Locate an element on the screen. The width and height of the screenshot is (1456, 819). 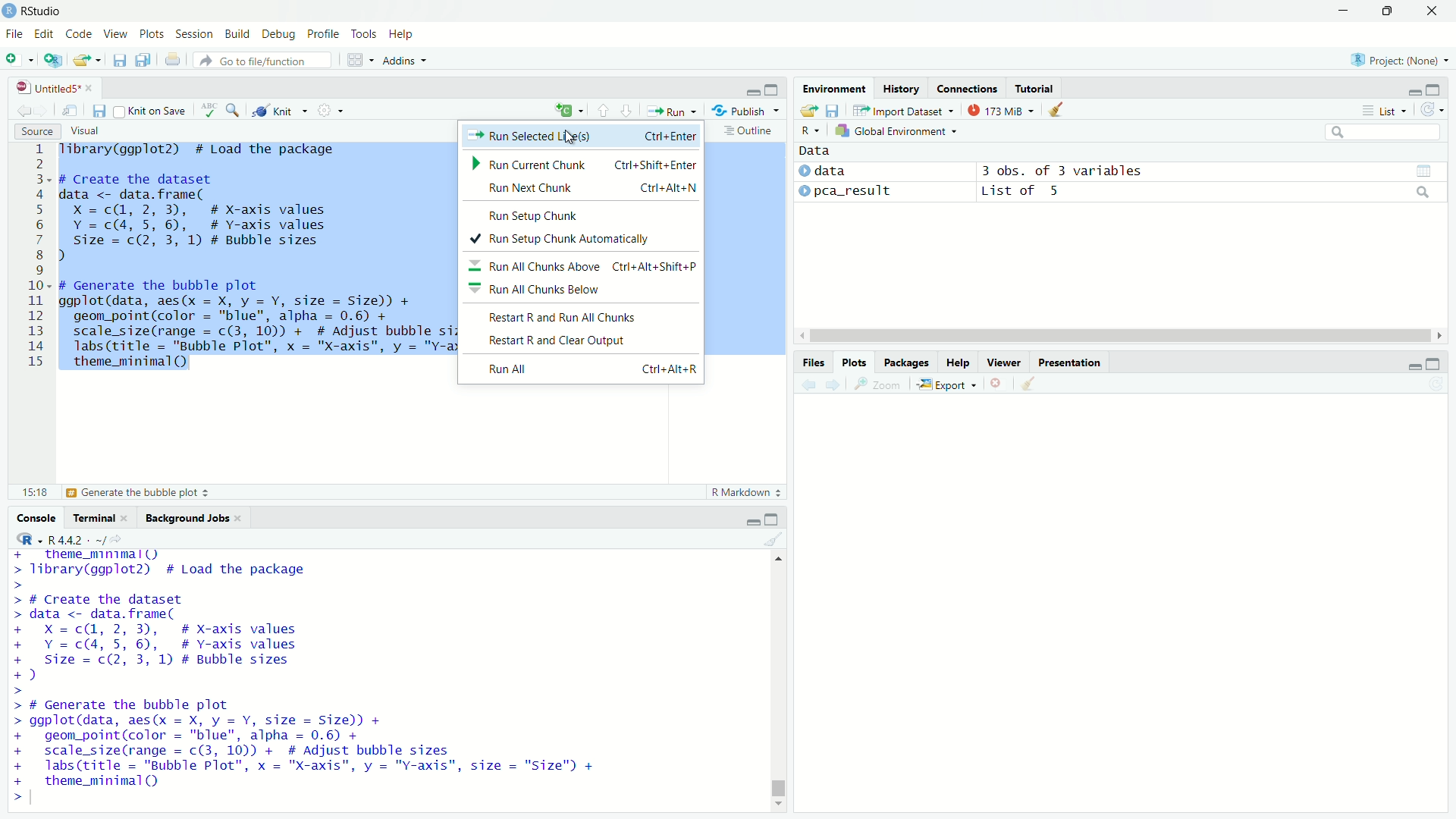
tools is located at coordinates (365, 33).